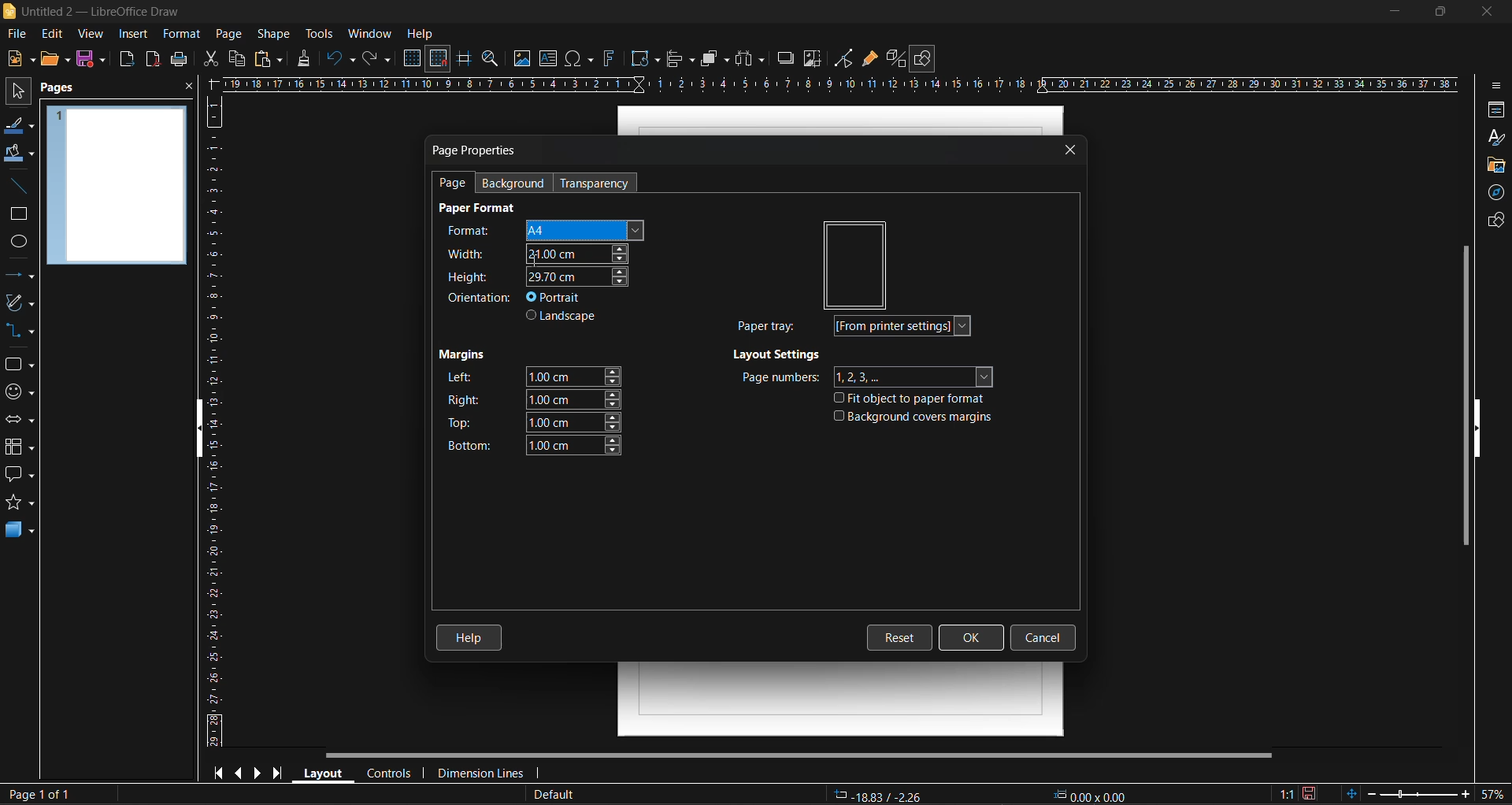  Describe the element at coordinates (23, 503) in the screenshot. I see `stars and banners` at that location.